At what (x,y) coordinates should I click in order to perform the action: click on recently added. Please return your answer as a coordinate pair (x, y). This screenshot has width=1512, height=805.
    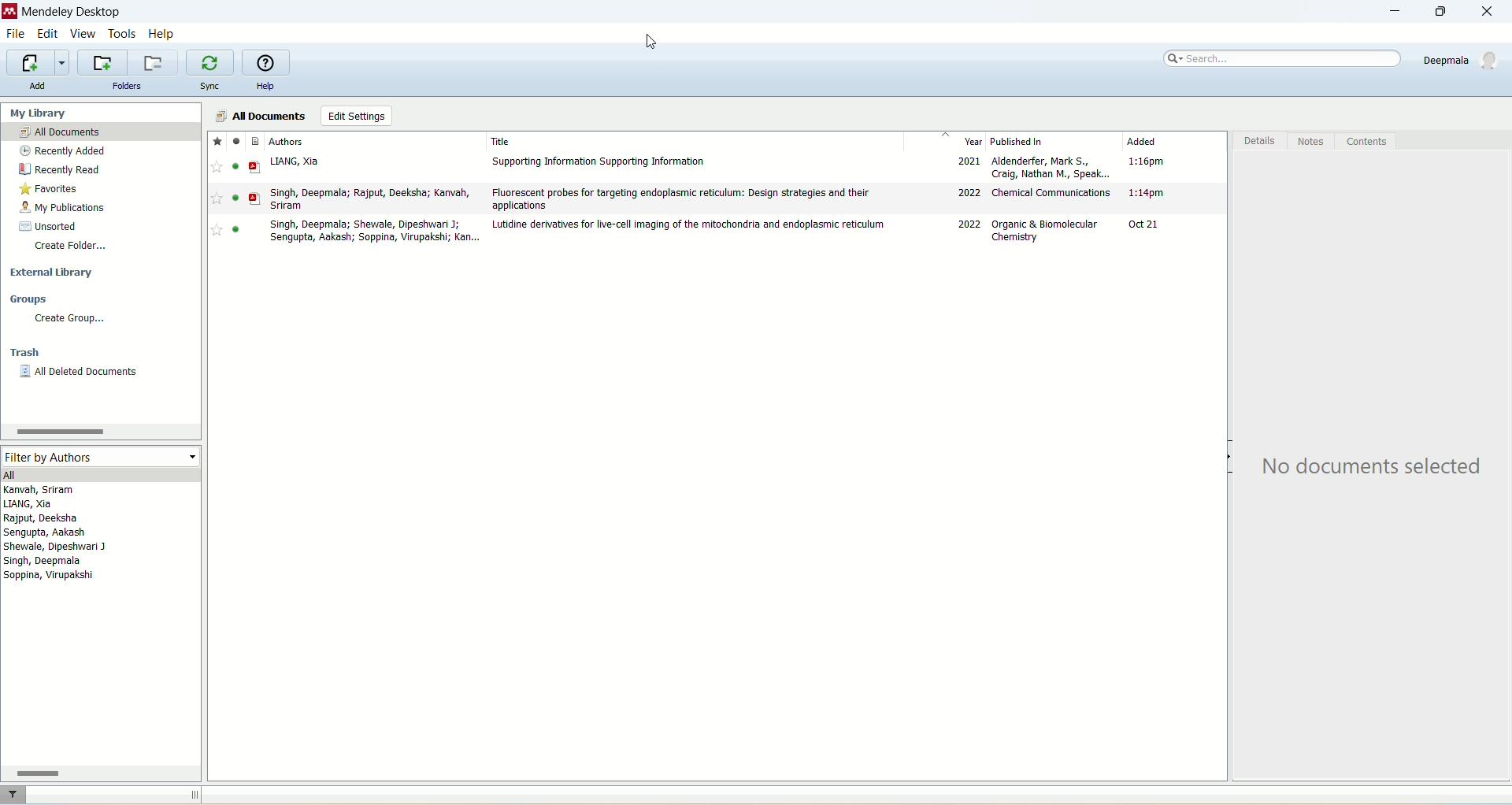
    Looking at the image, I should click on (62, 150).